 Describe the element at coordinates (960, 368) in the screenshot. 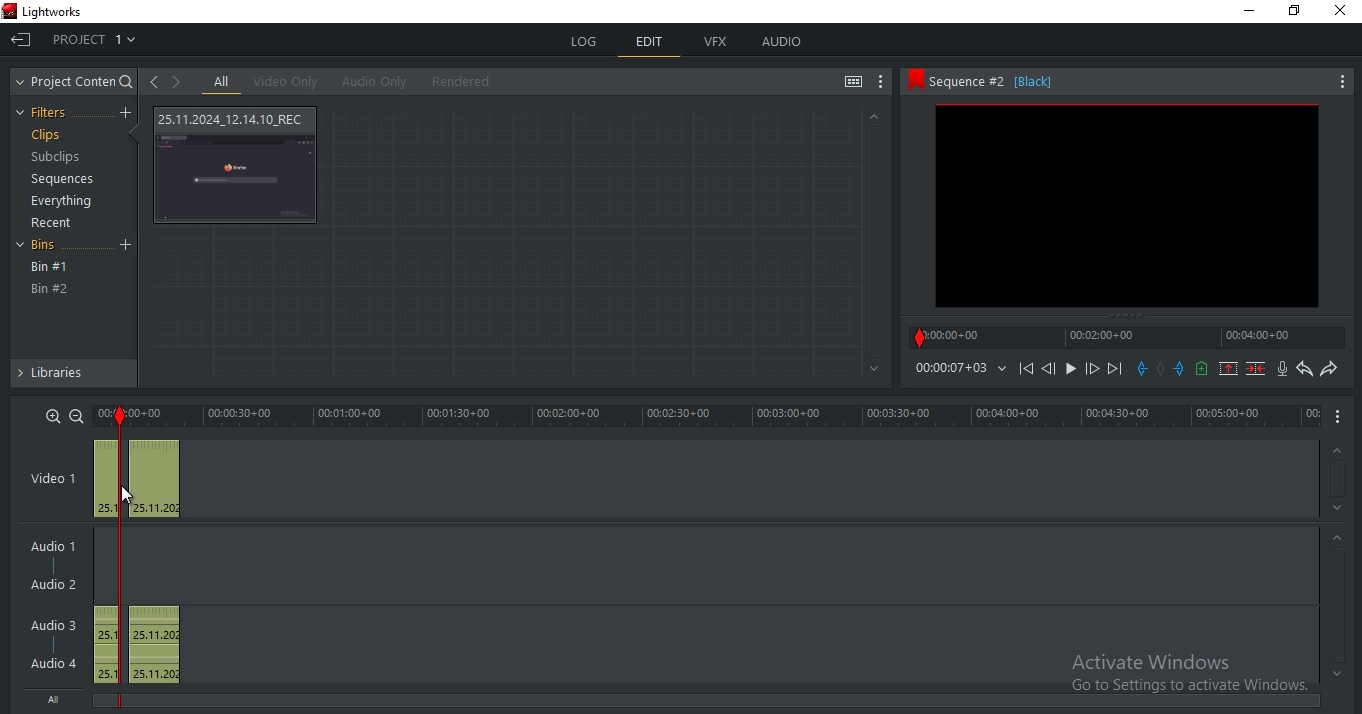

I see `time` at that location.